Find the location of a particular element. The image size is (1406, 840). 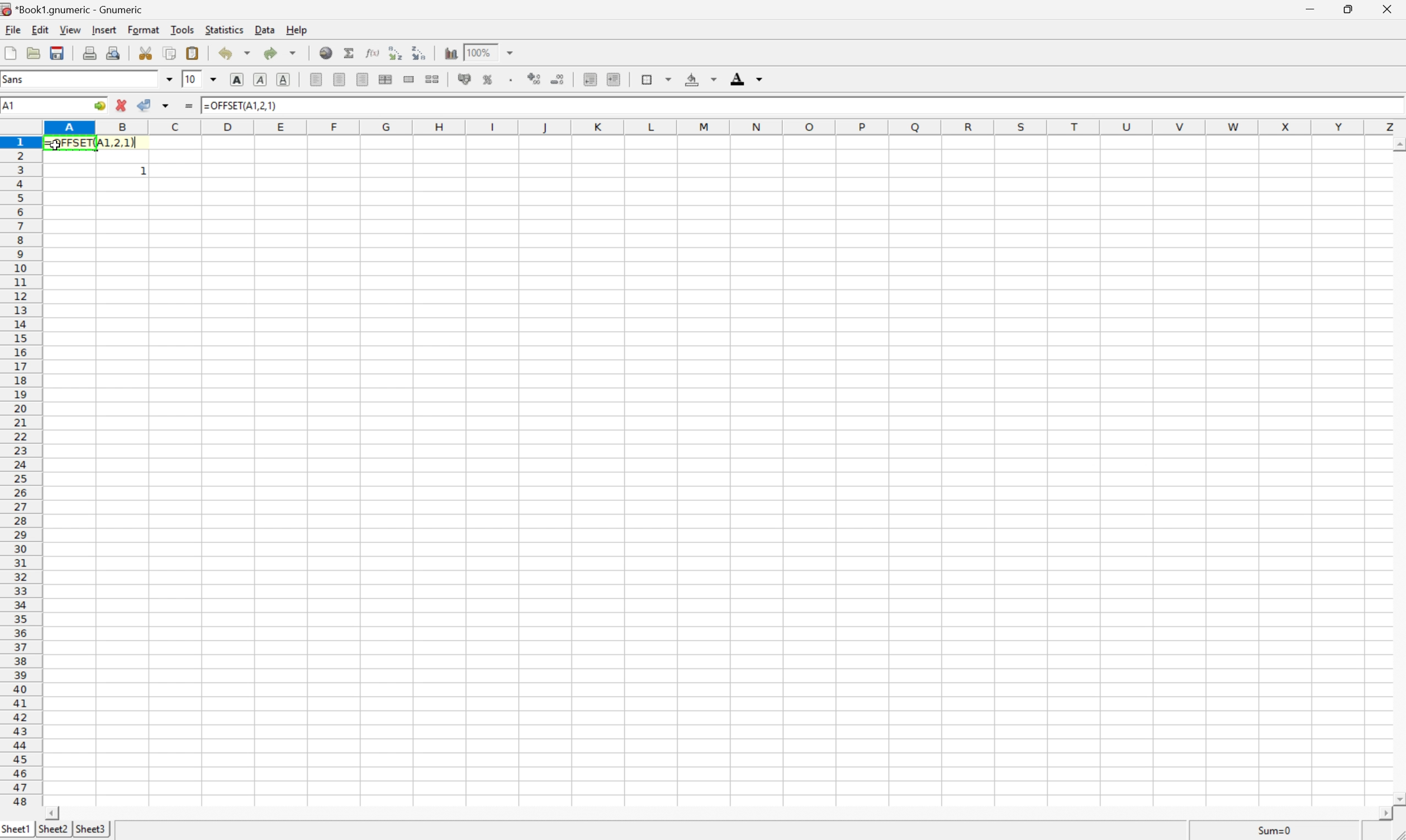

sheet1 is located at coordinates (16, 832).